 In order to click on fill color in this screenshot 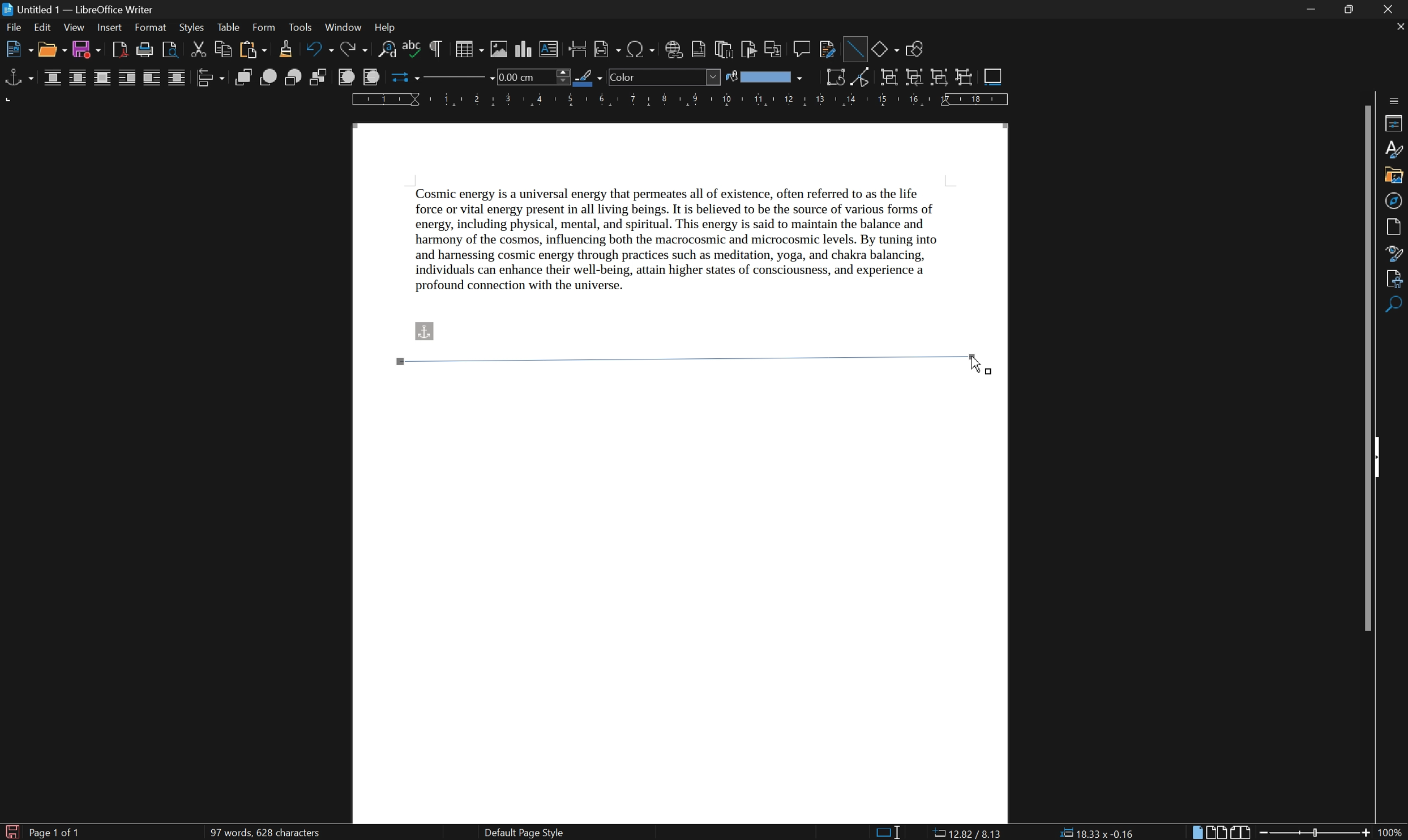, I will do `click(764, 77)`.